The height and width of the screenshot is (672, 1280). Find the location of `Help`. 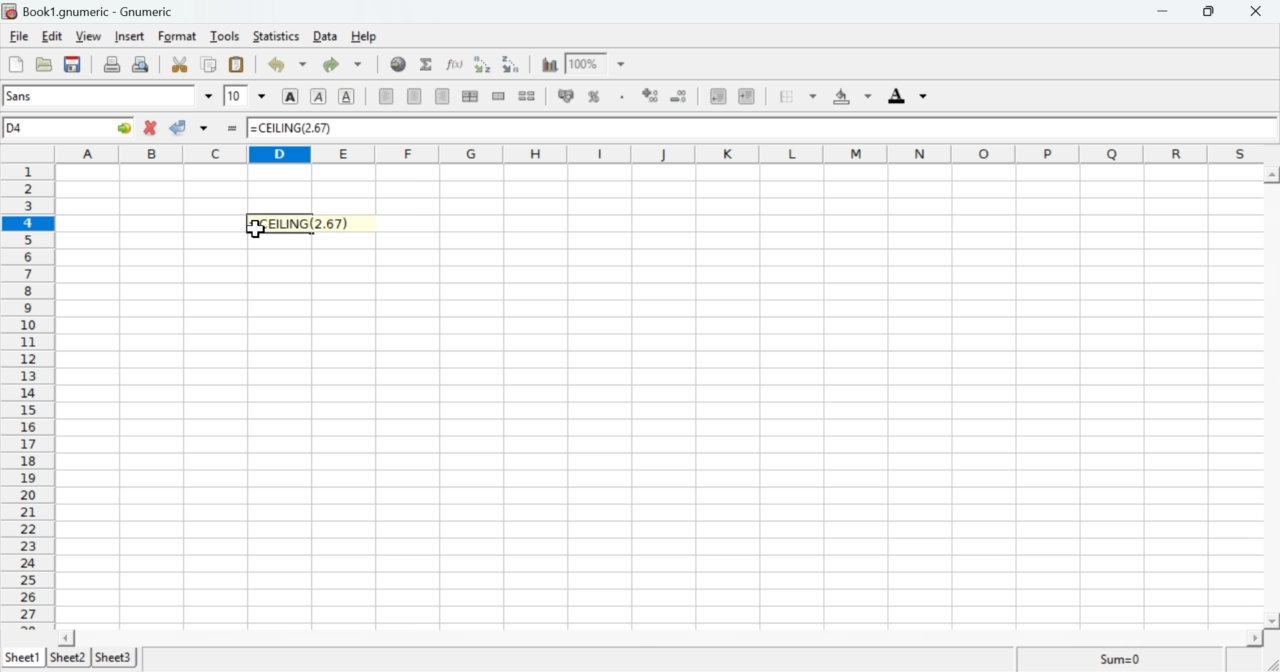

Help is located at coordinates (363, 36).